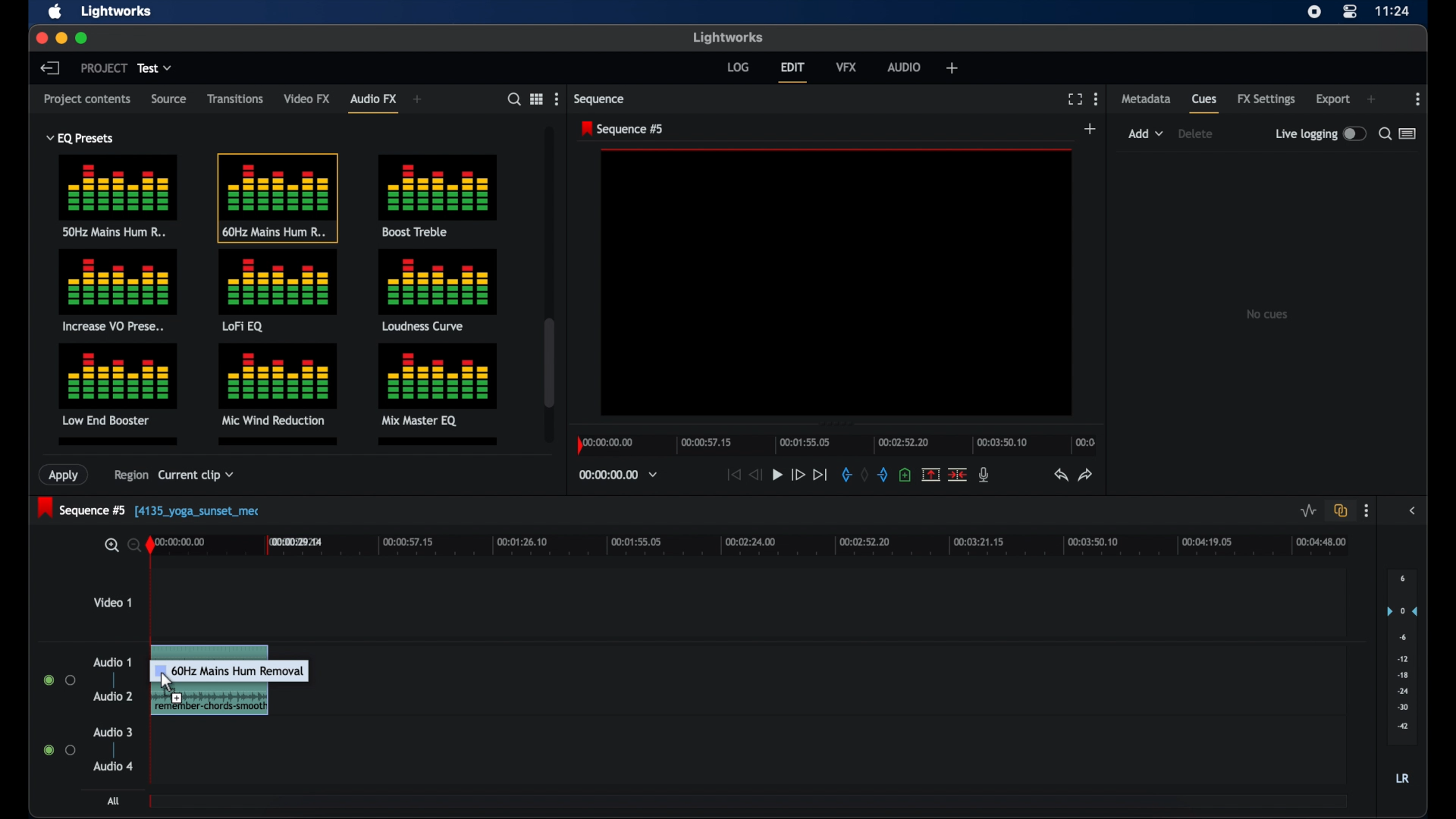 Image resolution: width=1456 pixels, height=819 pixels. Describe the element at coordinates (726, 36) in the screenshot. I see `lightworks` at that location.